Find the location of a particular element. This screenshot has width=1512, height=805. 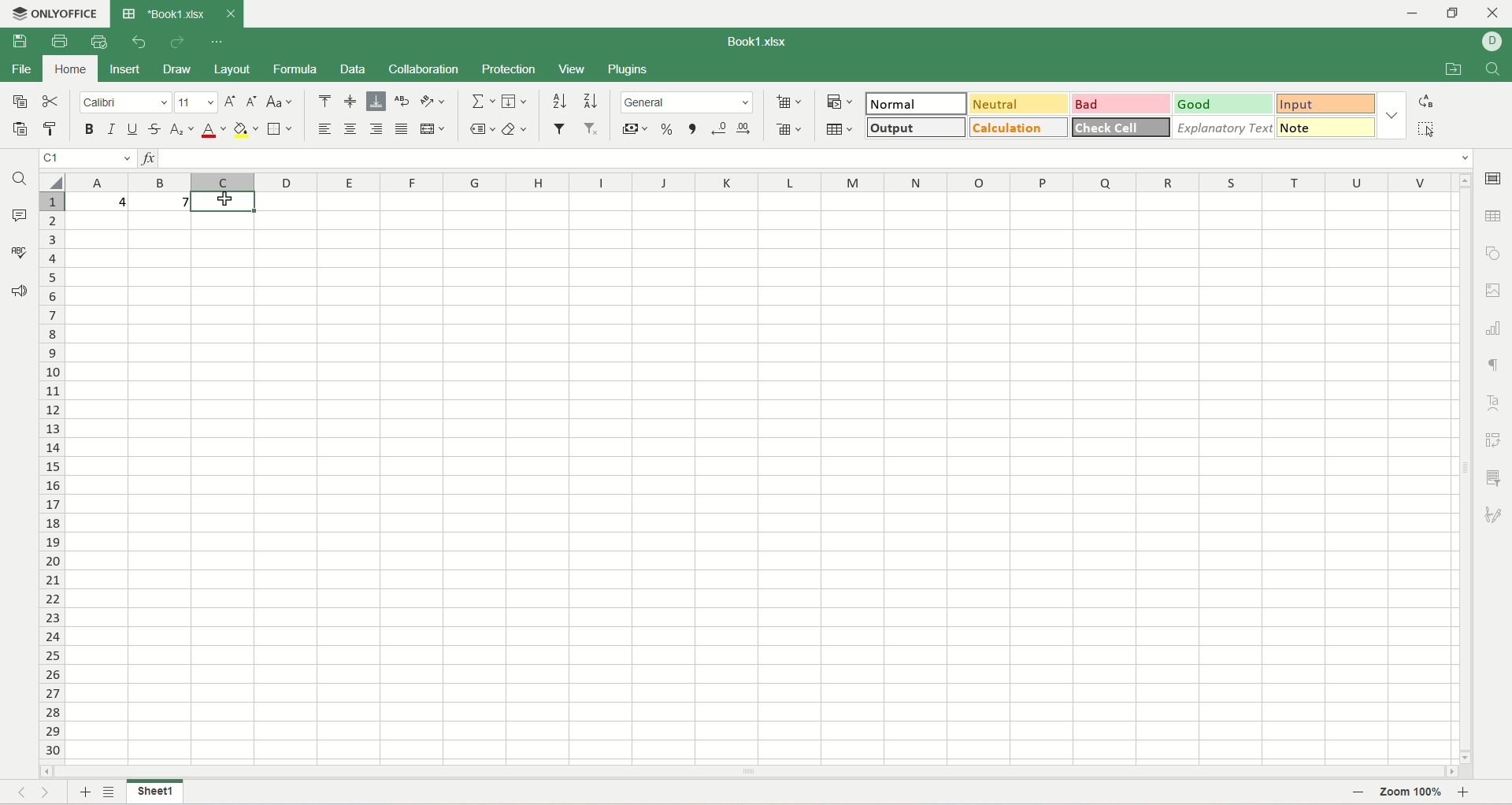

insert is located at coordinates (128, 70).